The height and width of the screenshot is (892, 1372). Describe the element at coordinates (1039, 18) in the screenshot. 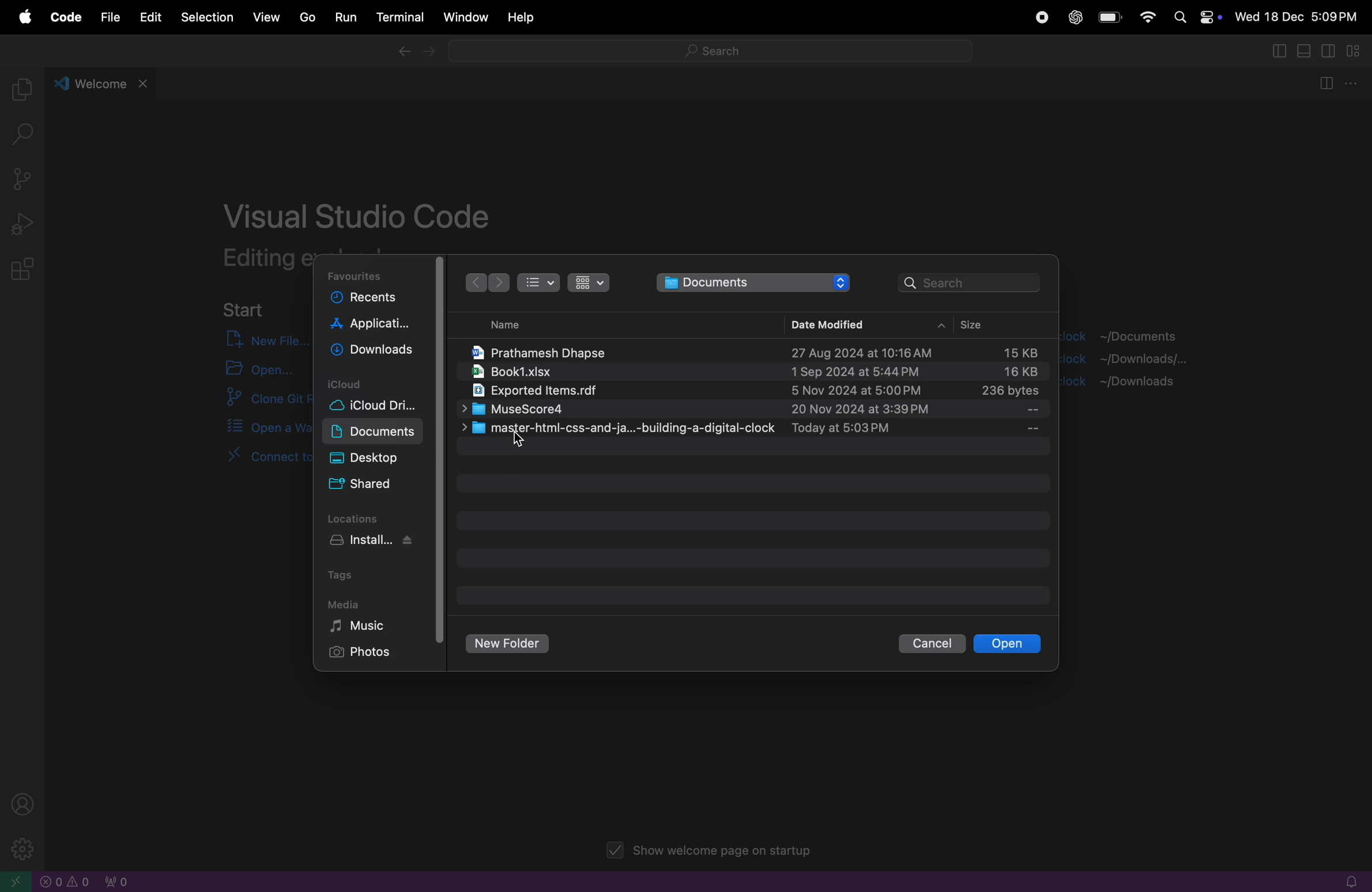

I see `record` at that location.